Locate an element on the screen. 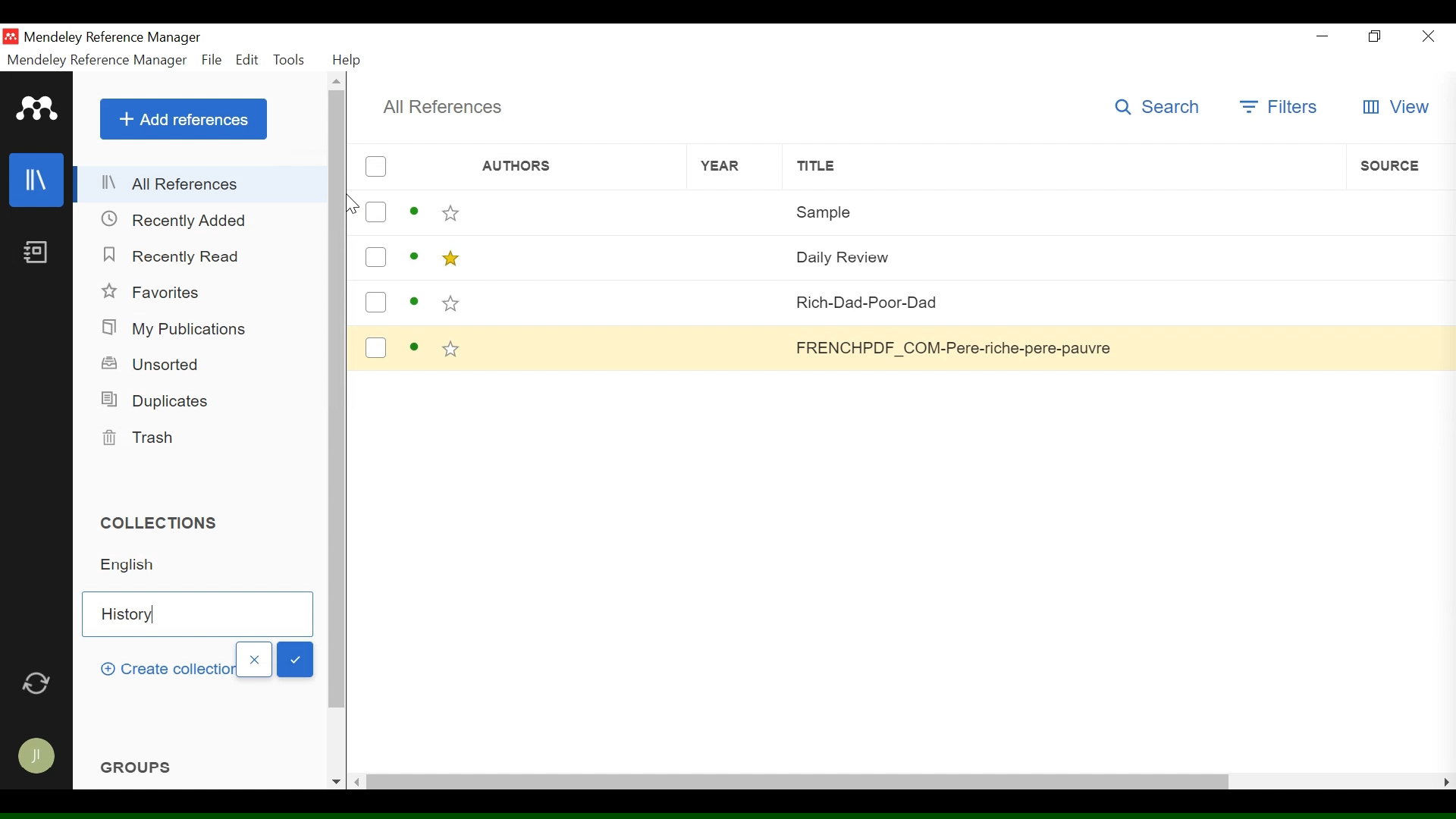 This screenshot has width=1456, height=819. Alll References is located at coordinates (202, 186).